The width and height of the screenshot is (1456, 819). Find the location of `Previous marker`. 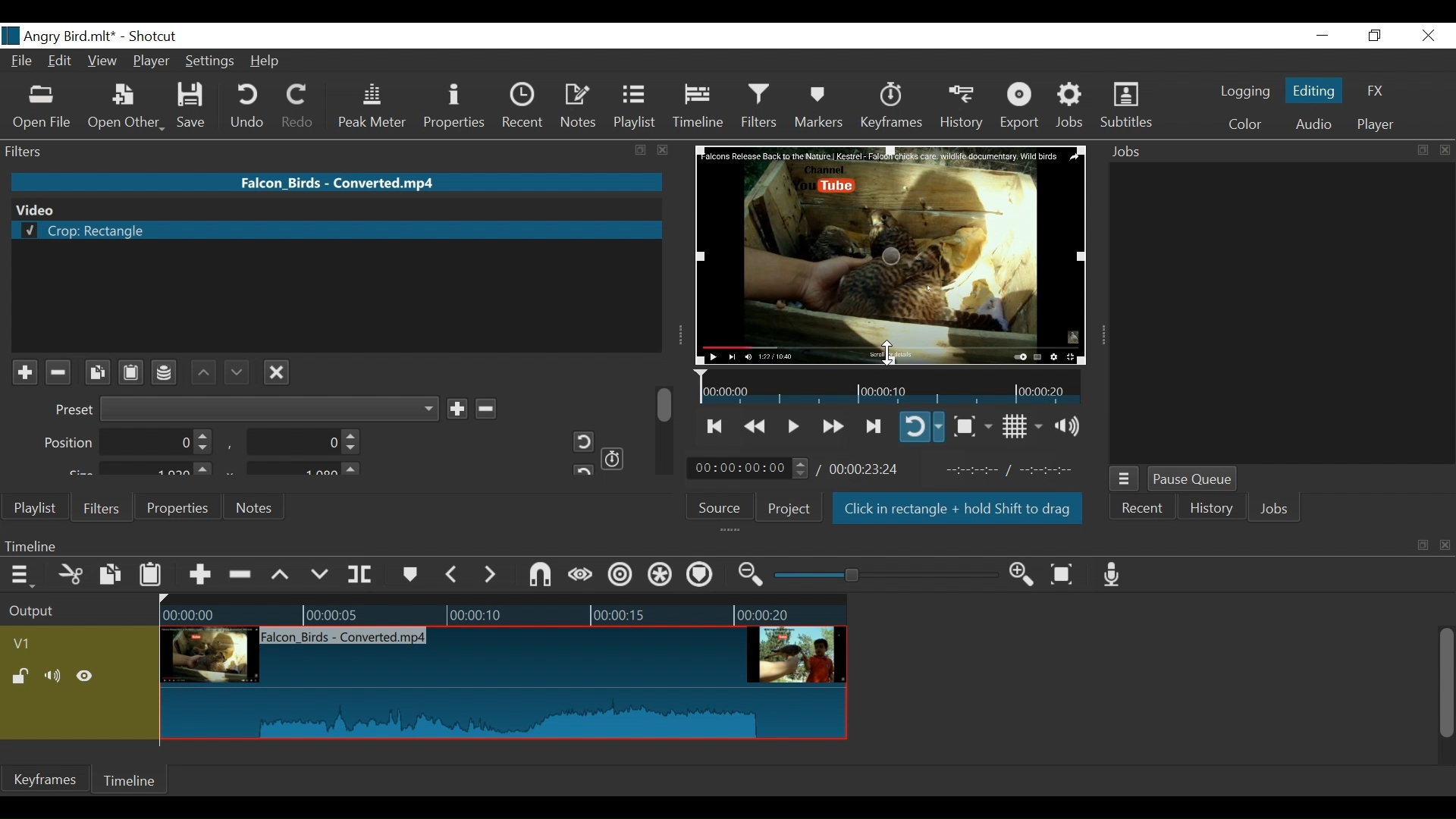

Previous marker is located at coordinates (452, 574).